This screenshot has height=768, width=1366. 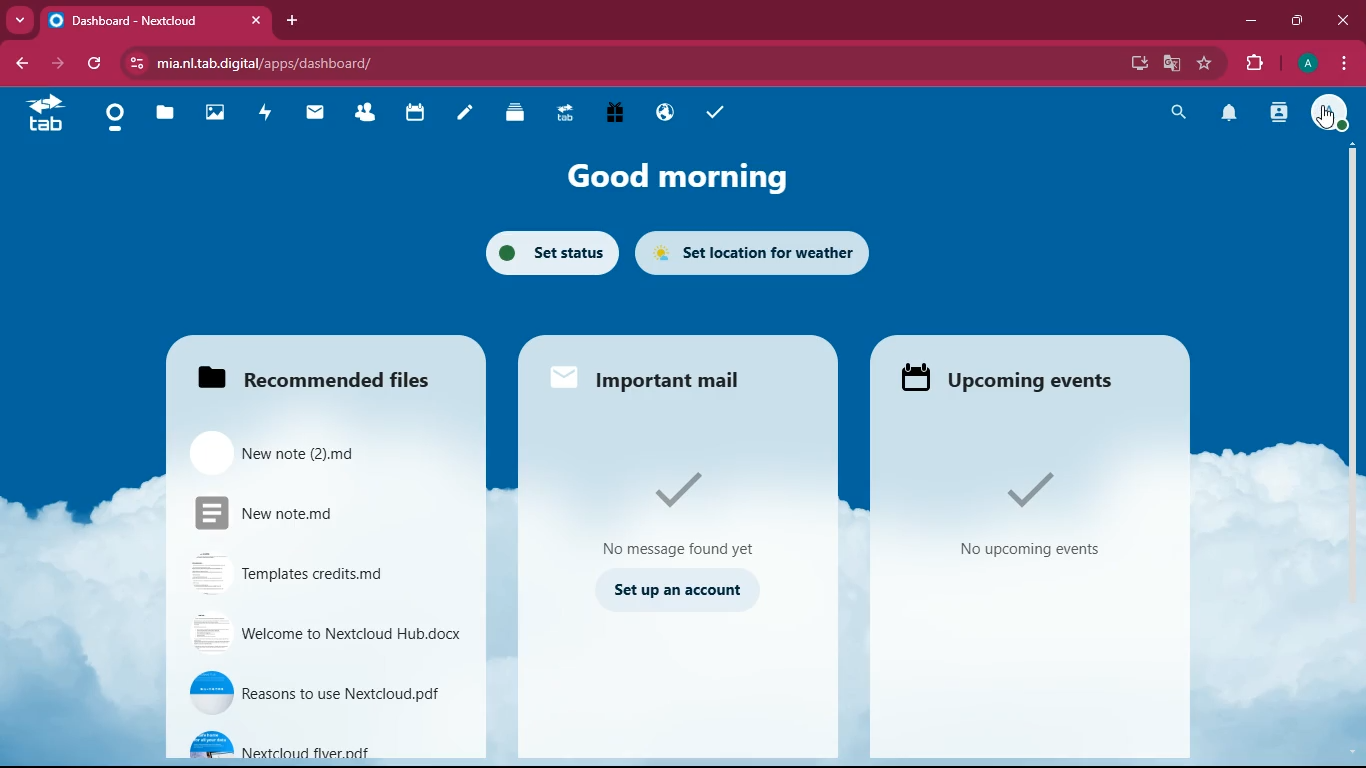 I want to click on calendar, so click(x=415, y=114).